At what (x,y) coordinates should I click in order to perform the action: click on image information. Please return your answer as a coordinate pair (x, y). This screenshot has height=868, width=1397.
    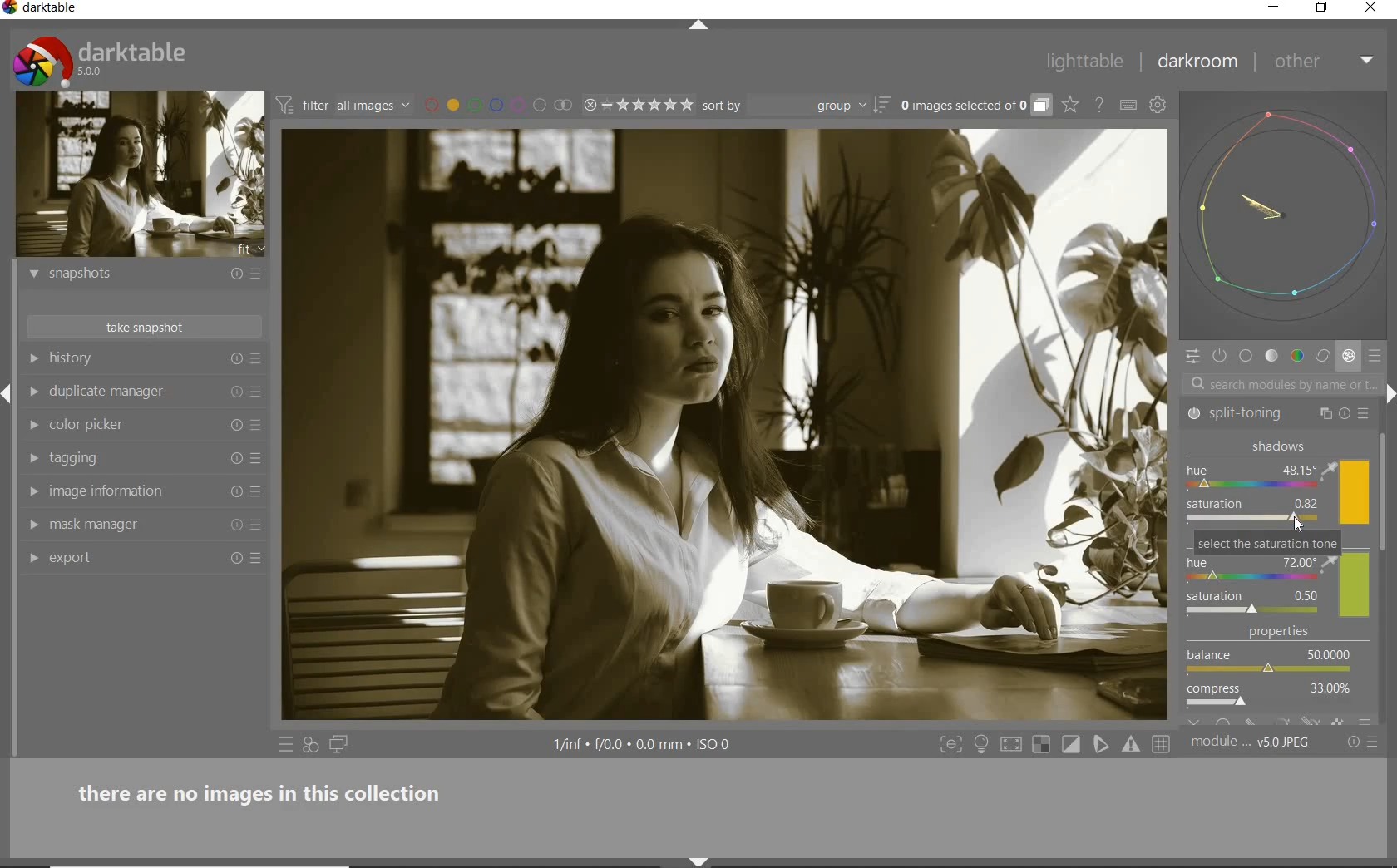
    Looking at the image, I should click on (132, 491).